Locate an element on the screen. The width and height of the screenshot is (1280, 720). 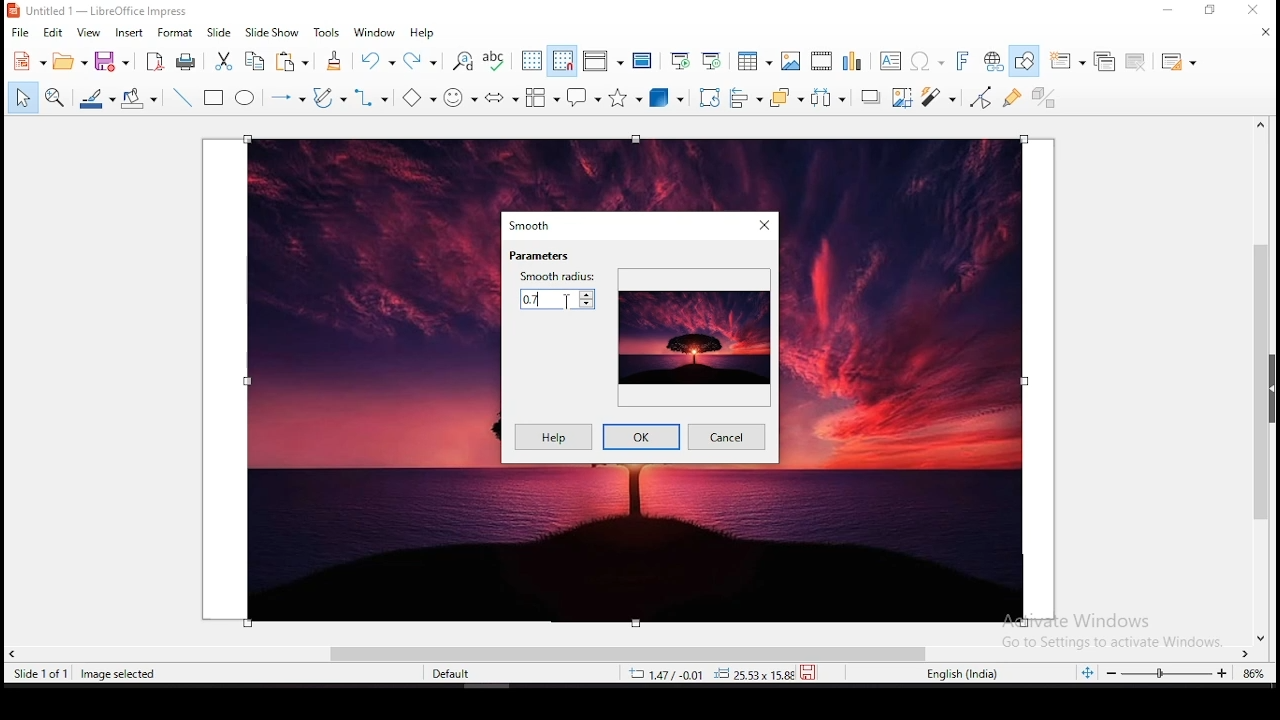
edit is located at coordinates (55, 33).